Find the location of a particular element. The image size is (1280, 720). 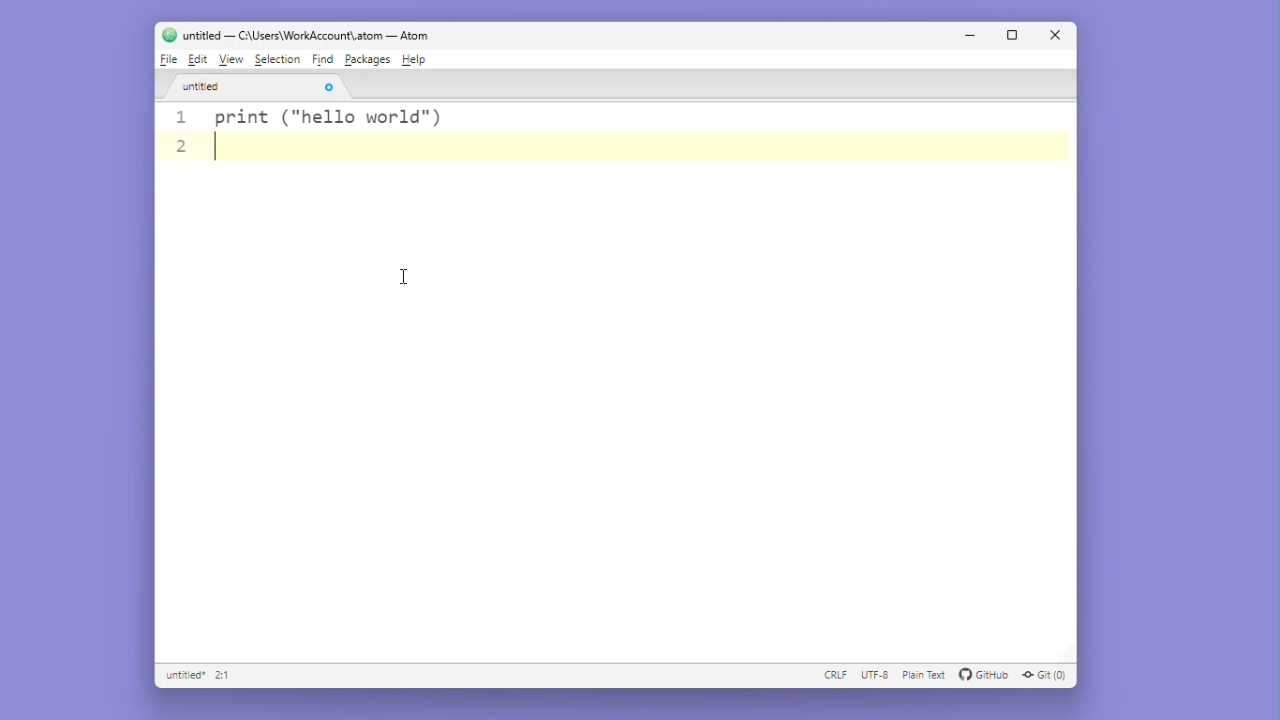

Minimise is located at coordinates (976, 37).